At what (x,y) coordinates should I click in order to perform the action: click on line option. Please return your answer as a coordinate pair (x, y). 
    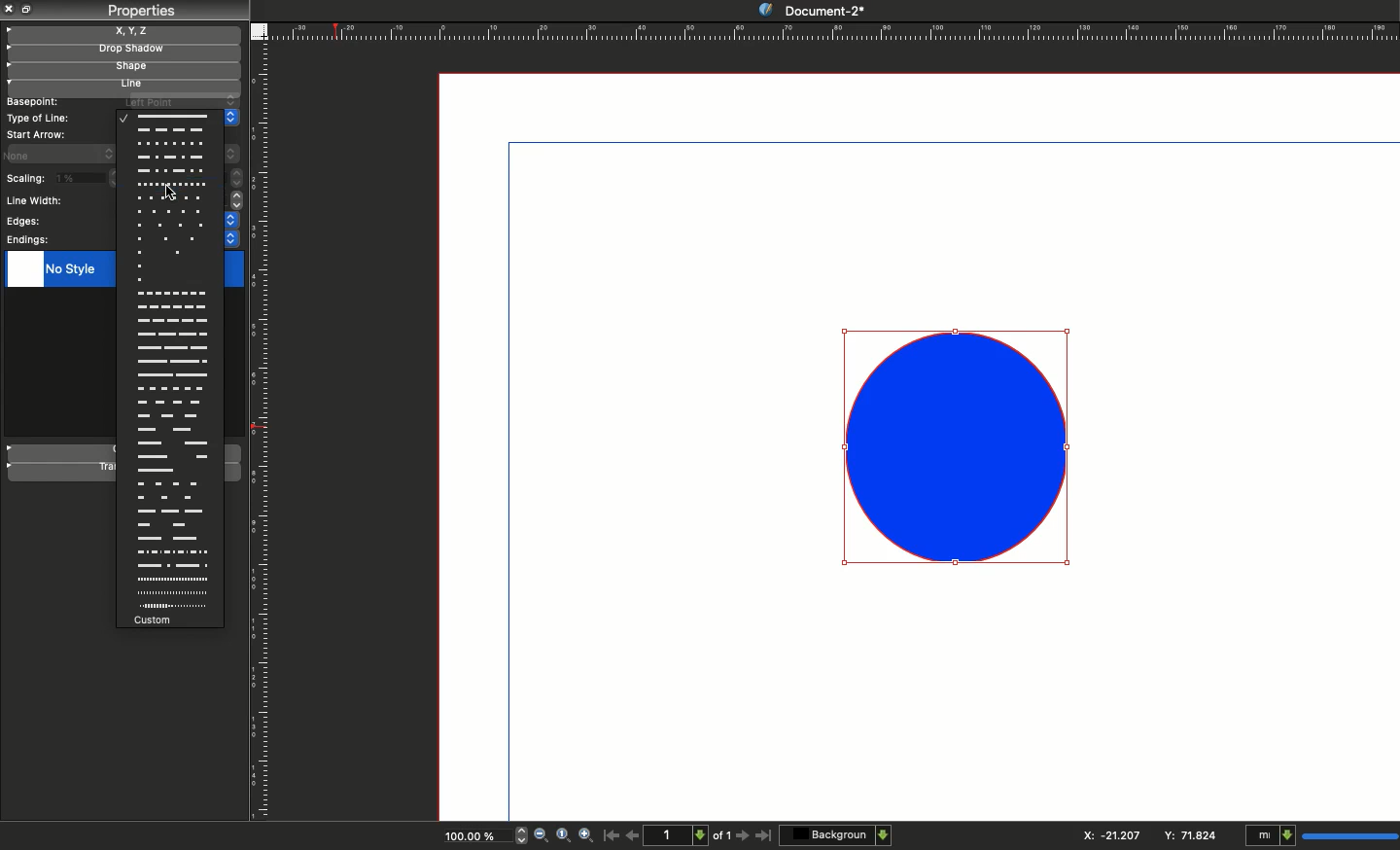
    Looking at the image, I should click on (171, 307).